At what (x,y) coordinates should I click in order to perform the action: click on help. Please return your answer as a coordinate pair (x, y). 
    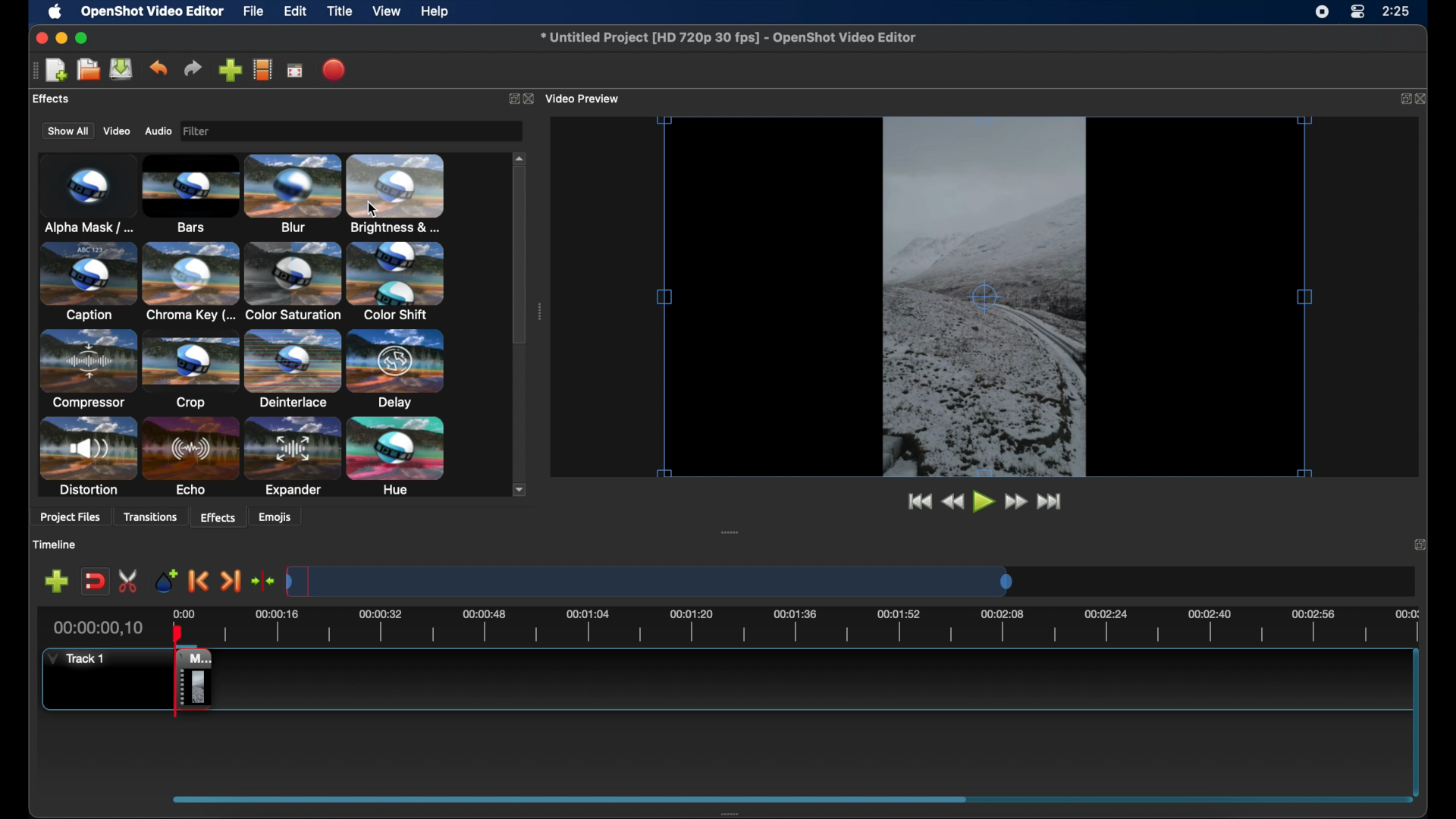
    Looking at the image, I should click on (437, 11).